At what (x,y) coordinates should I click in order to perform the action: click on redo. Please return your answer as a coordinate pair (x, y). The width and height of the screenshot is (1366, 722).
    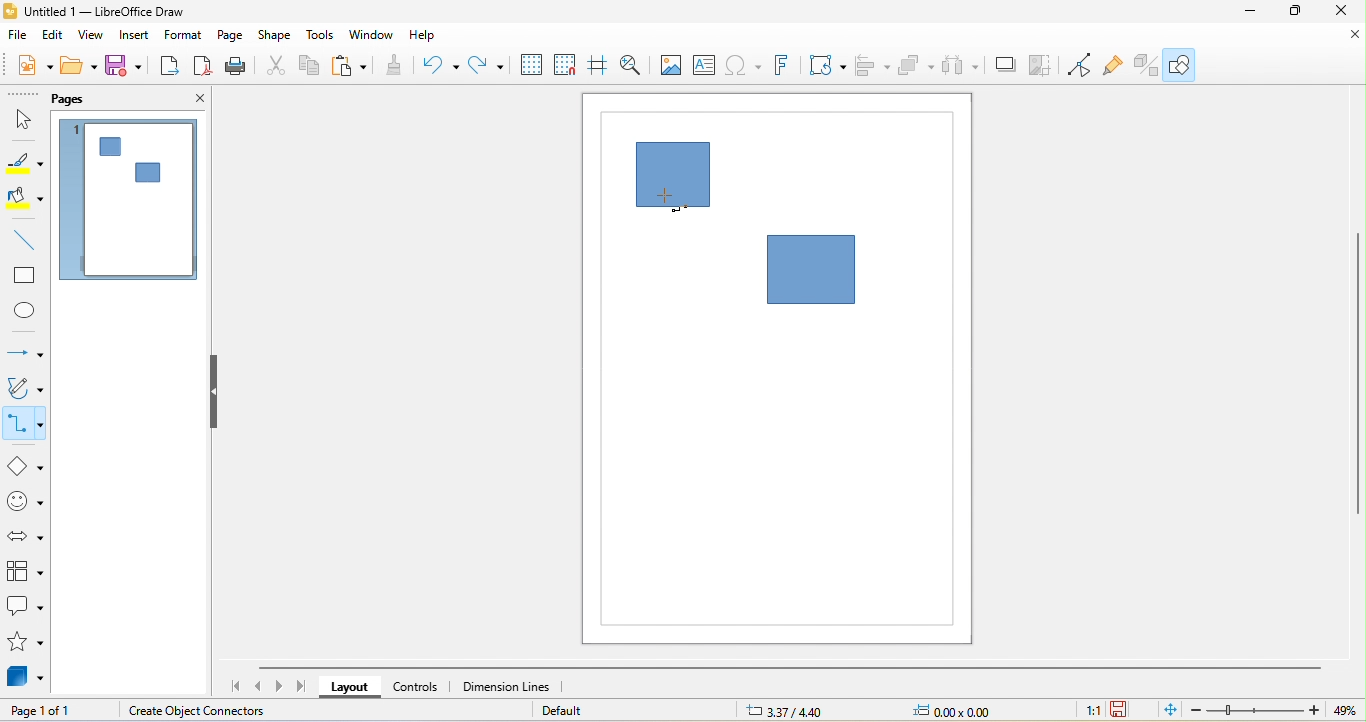
    Looking at the image, I should click on (487, 67).